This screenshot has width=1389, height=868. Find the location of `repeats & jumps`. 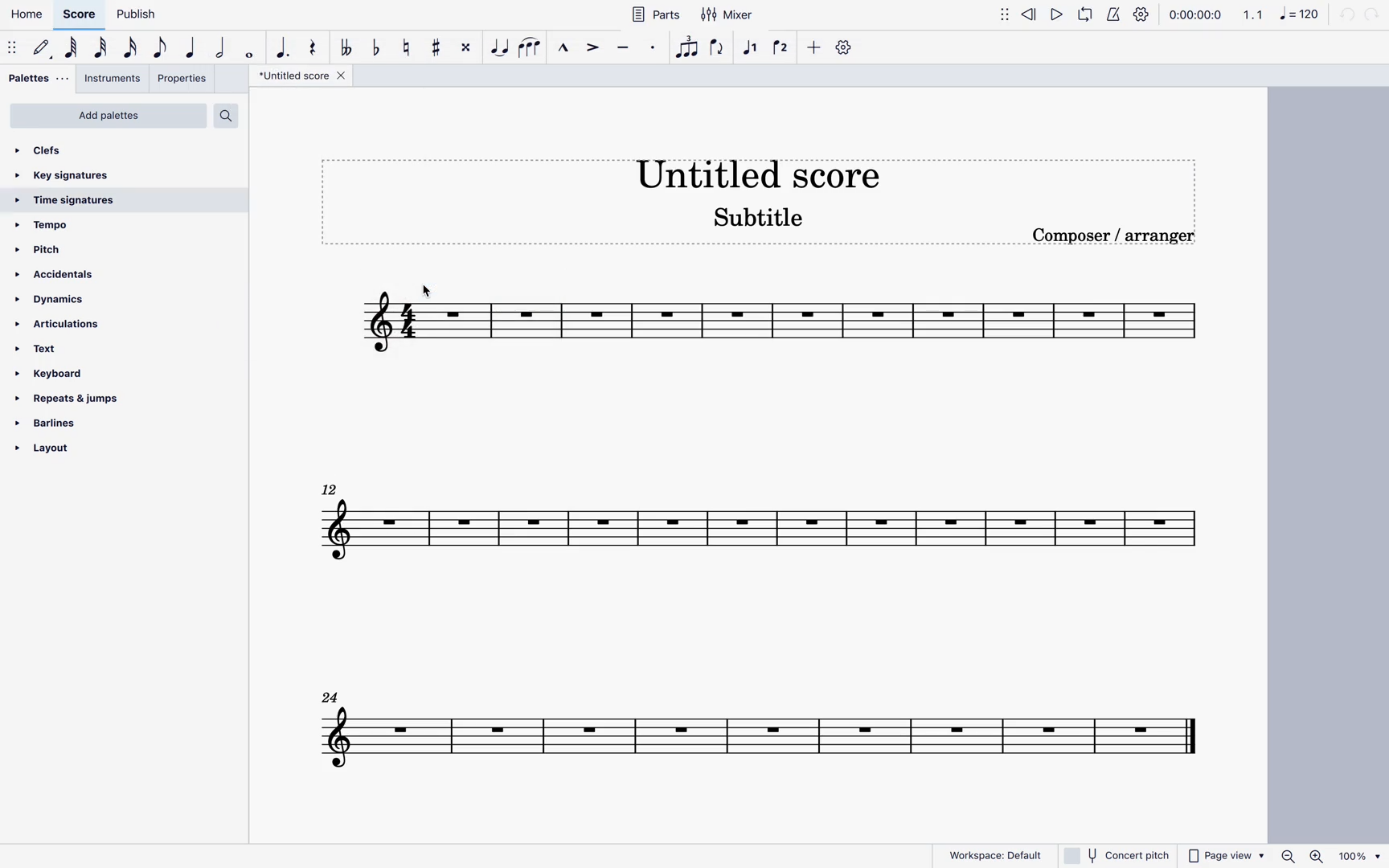

repeats & jumps is located at coordinates (73, 396).